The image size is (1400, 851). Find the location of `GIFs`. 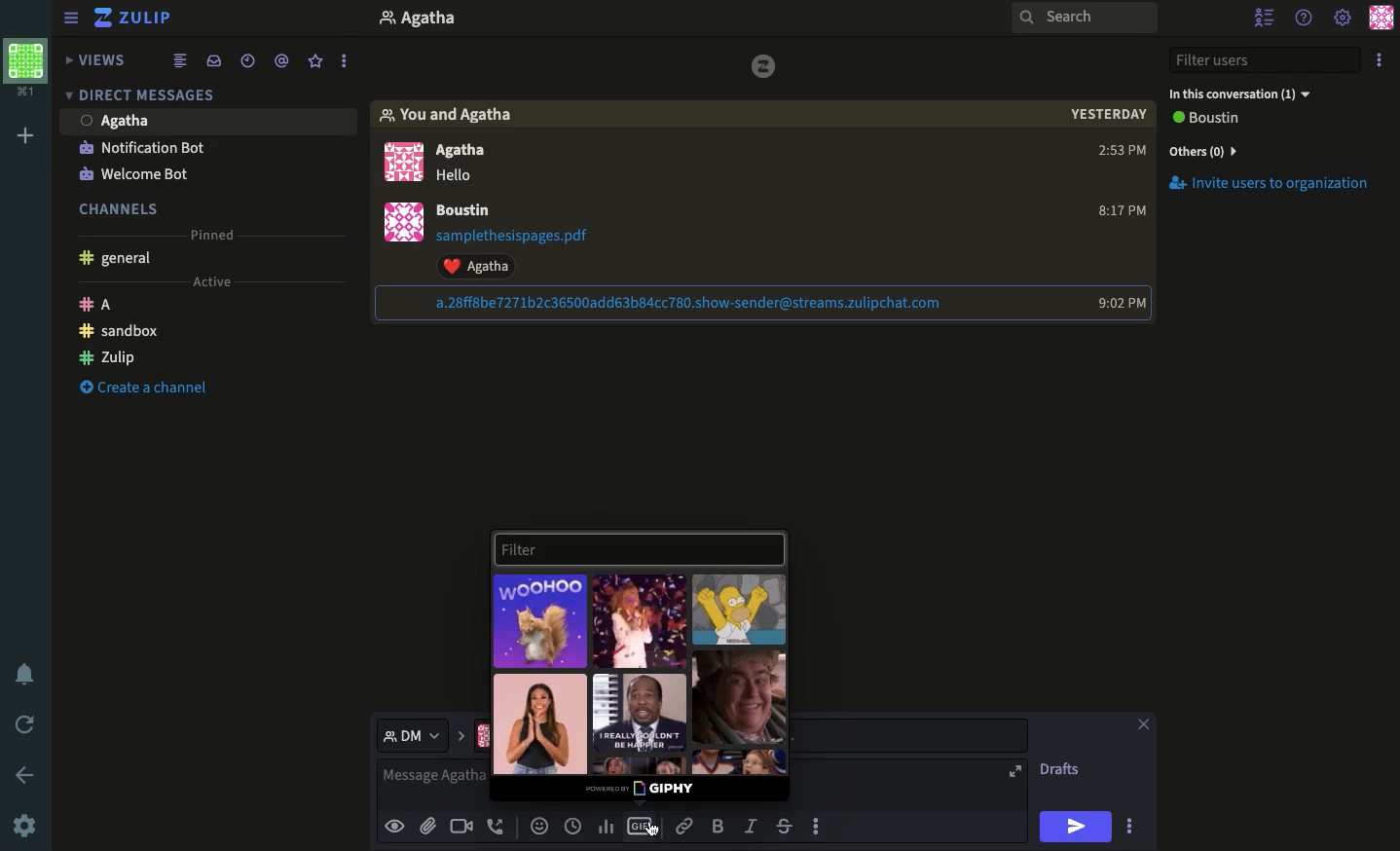

GIFs is located at coordinates (541, 620).